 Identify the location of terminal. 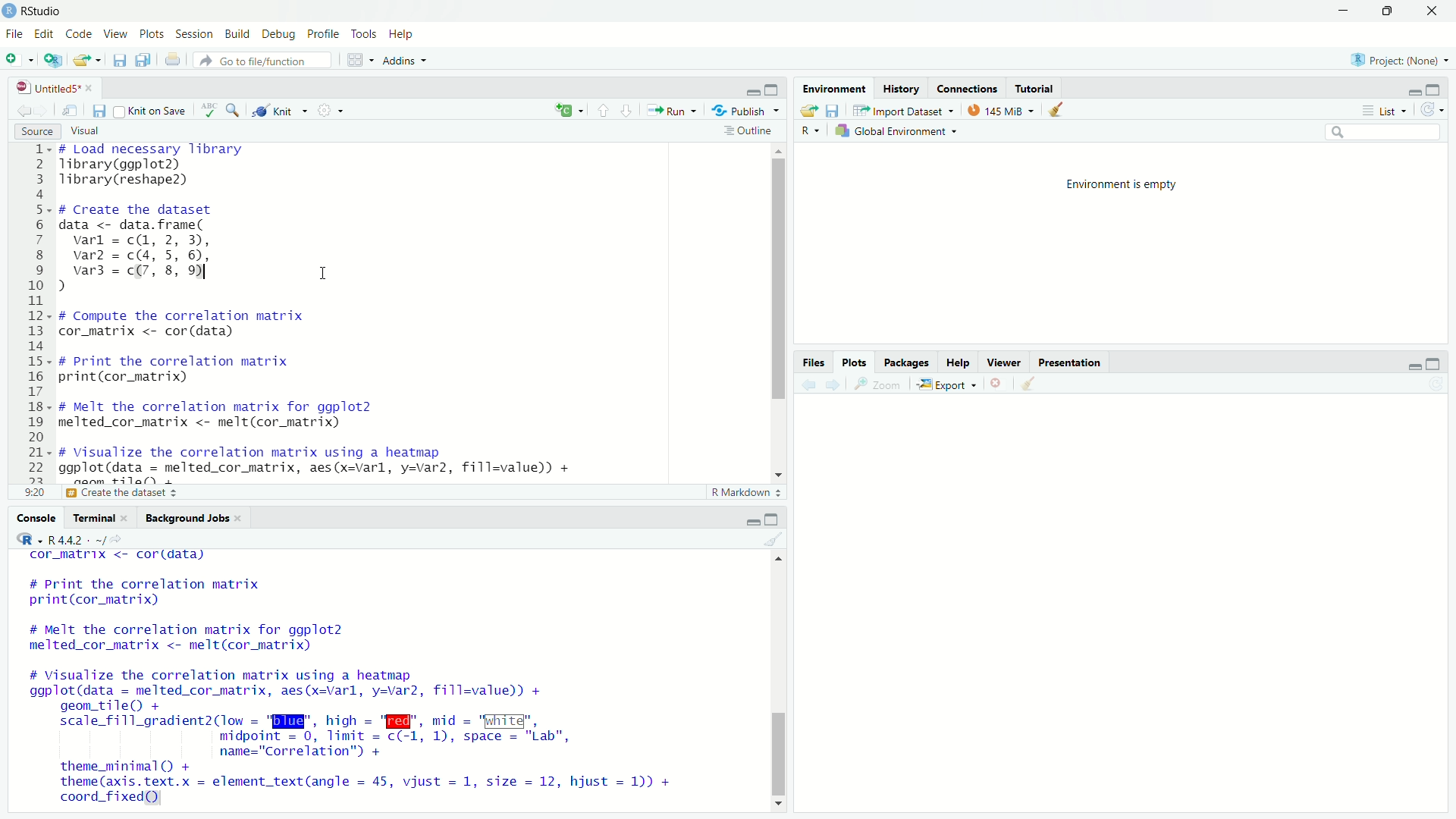
(102, 518).